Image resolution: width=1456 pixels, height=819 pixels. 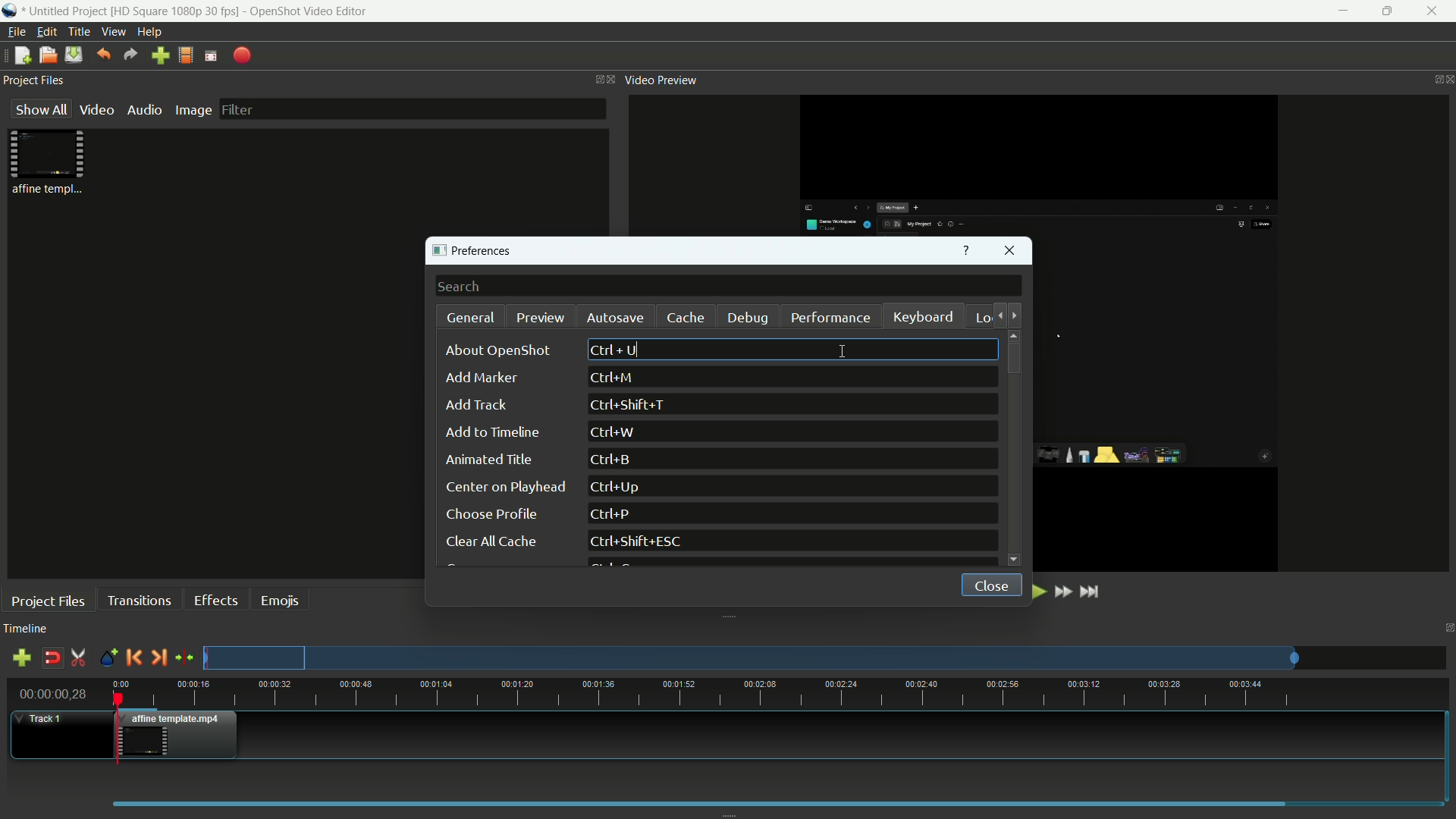 What do you see at coordinates (924, 318) in the screenshot?
I see `keyboard` at bounding box center [924, 318].